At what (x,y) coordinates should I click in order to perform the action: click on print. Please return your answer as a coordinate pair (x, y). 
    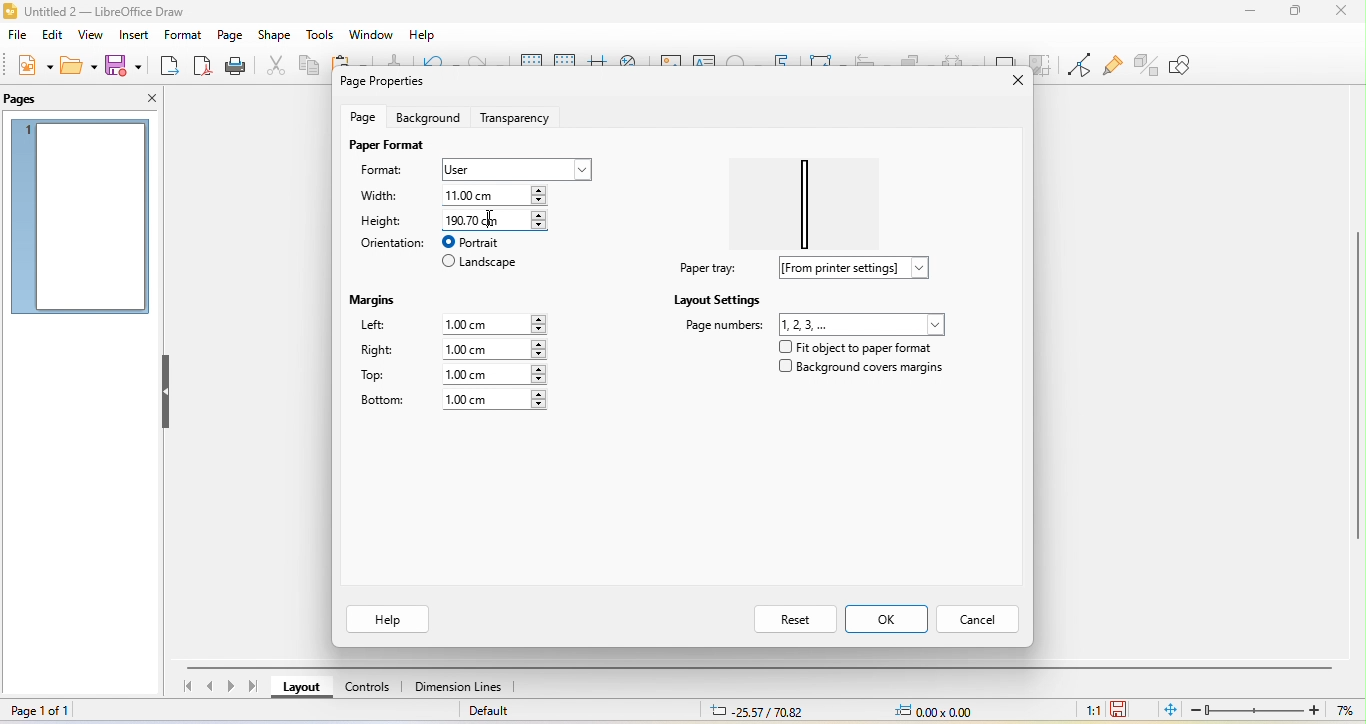
    Looking at the image, I should click on (234, 67).